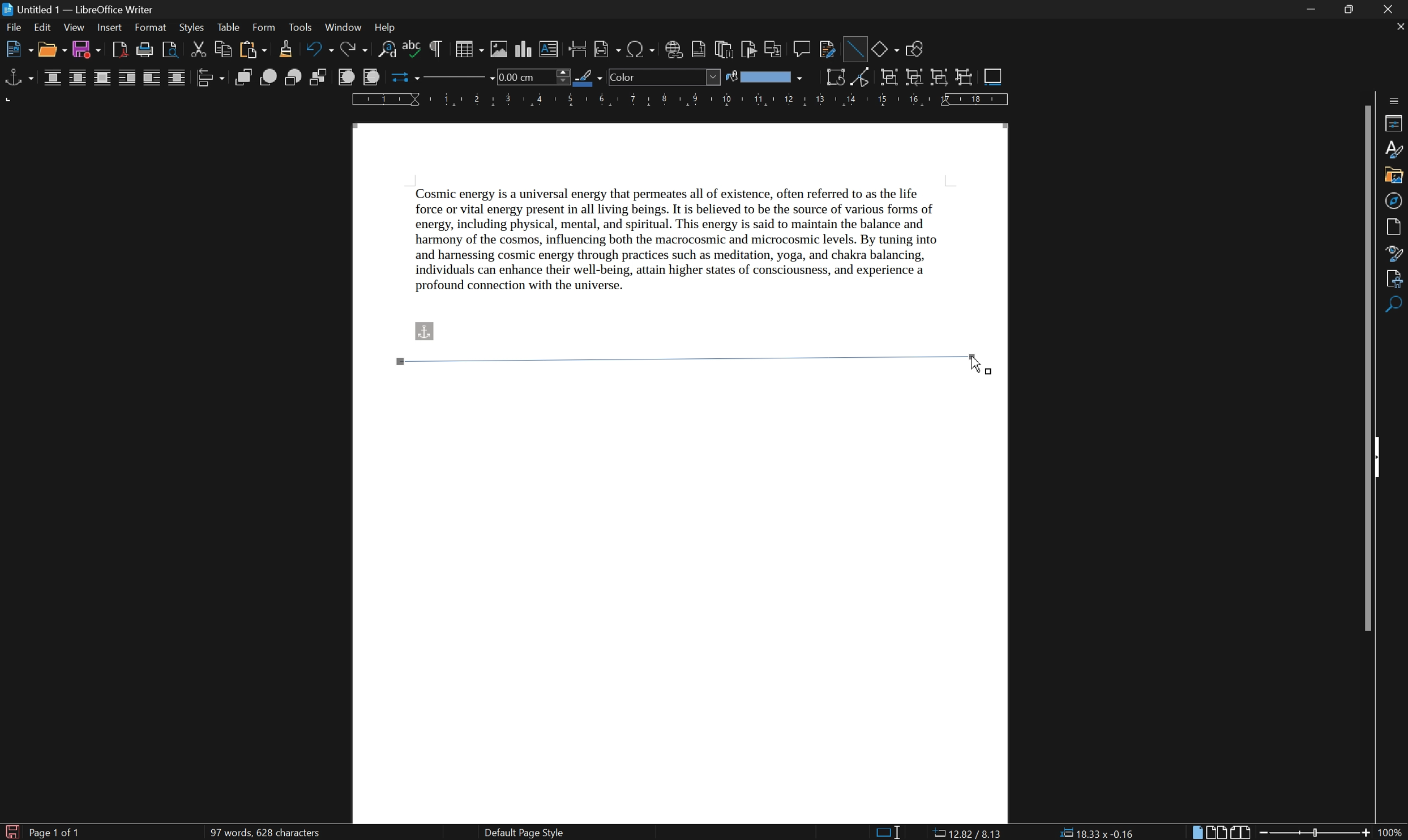  I want to click on horizontal line, so click(681, 358).